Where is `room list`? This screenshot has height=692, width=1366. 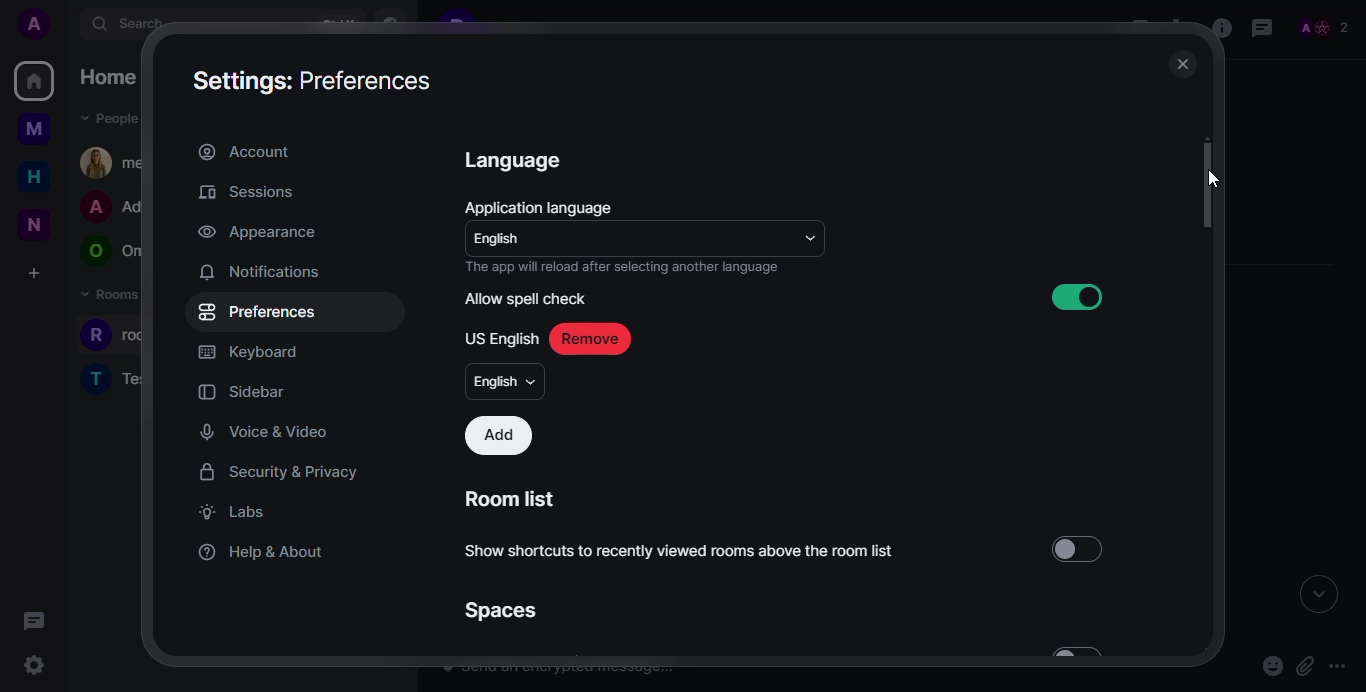 room list is located at coordinates (514, 499).